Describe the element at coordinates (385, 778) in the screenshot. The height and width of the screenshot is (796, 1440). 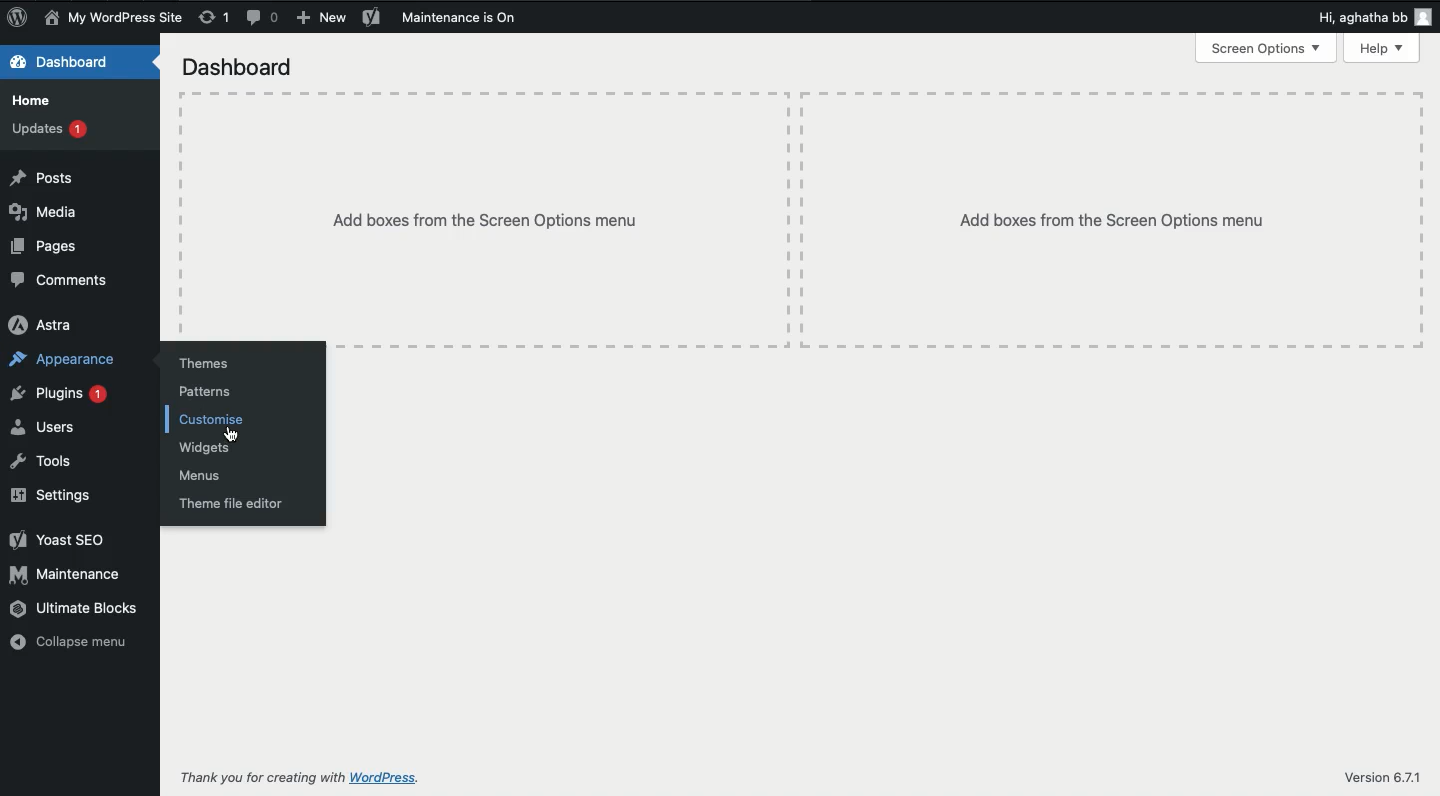
I see `wordpress` at that location.